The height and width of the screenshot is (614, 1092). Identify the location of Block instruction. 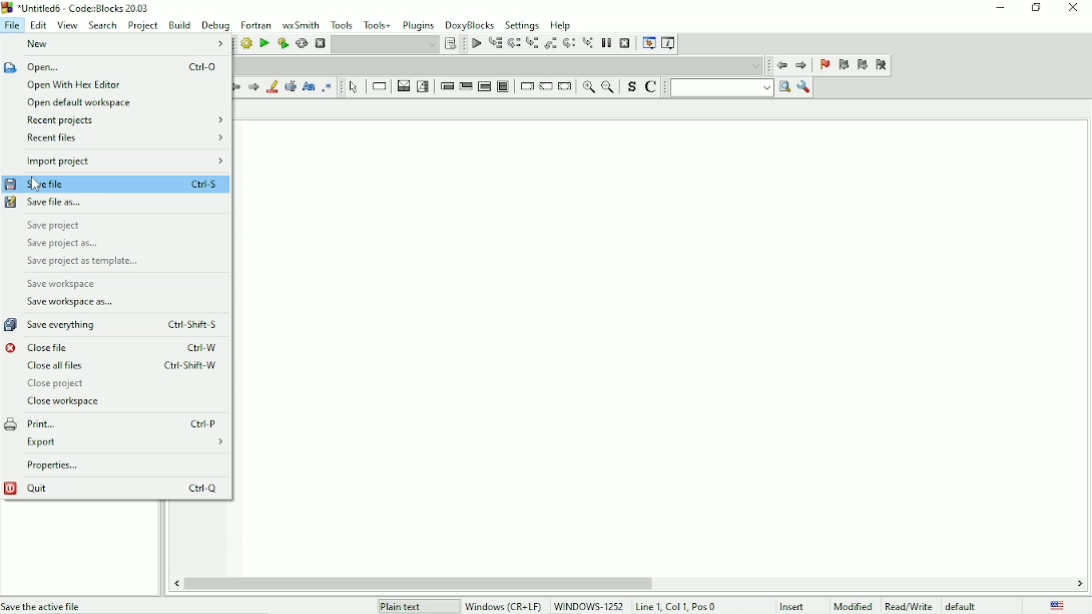
(504, 86).